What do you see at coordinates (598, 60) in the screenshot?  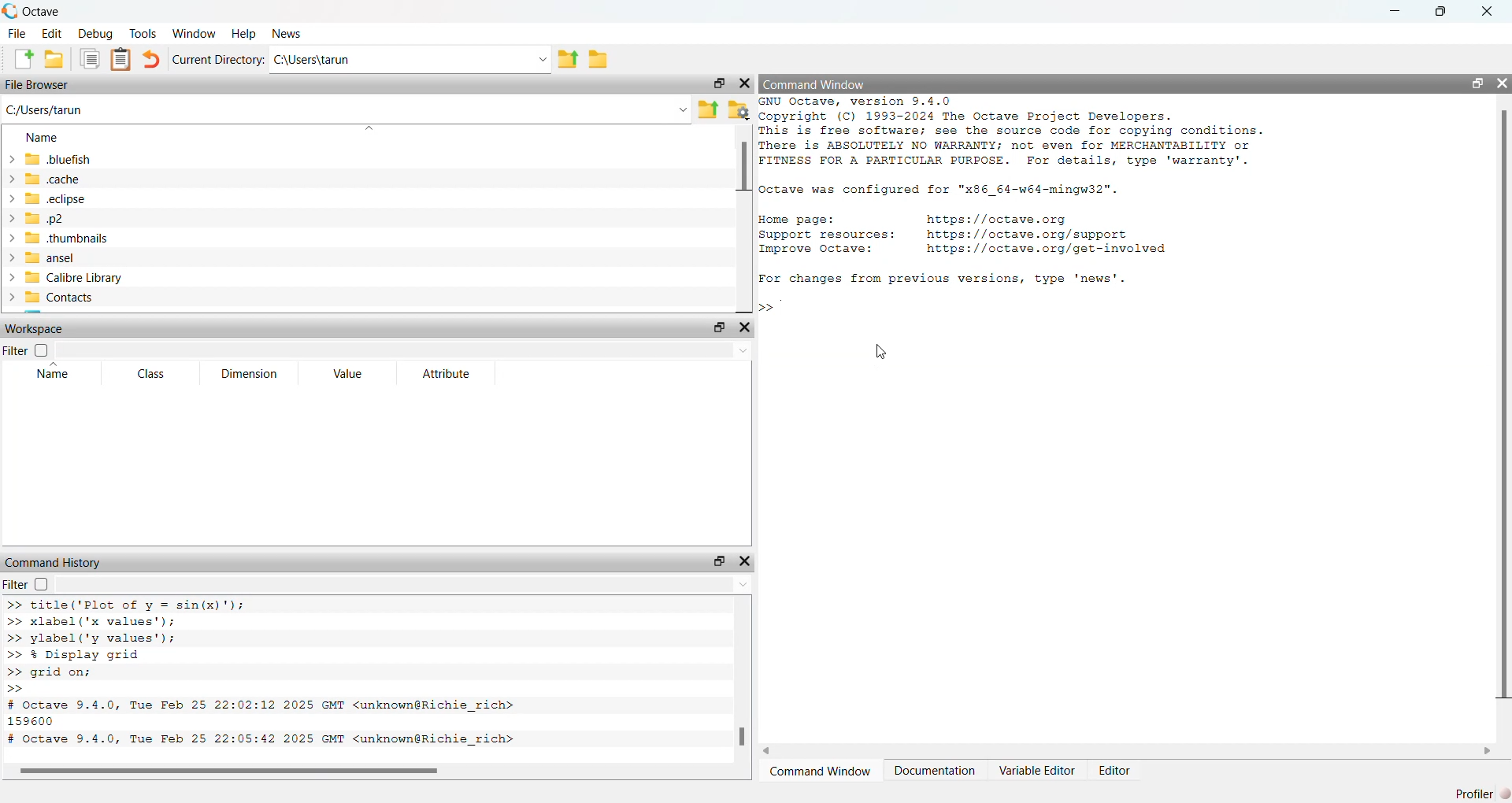 I see `folder` at bounding box center [598, 60].